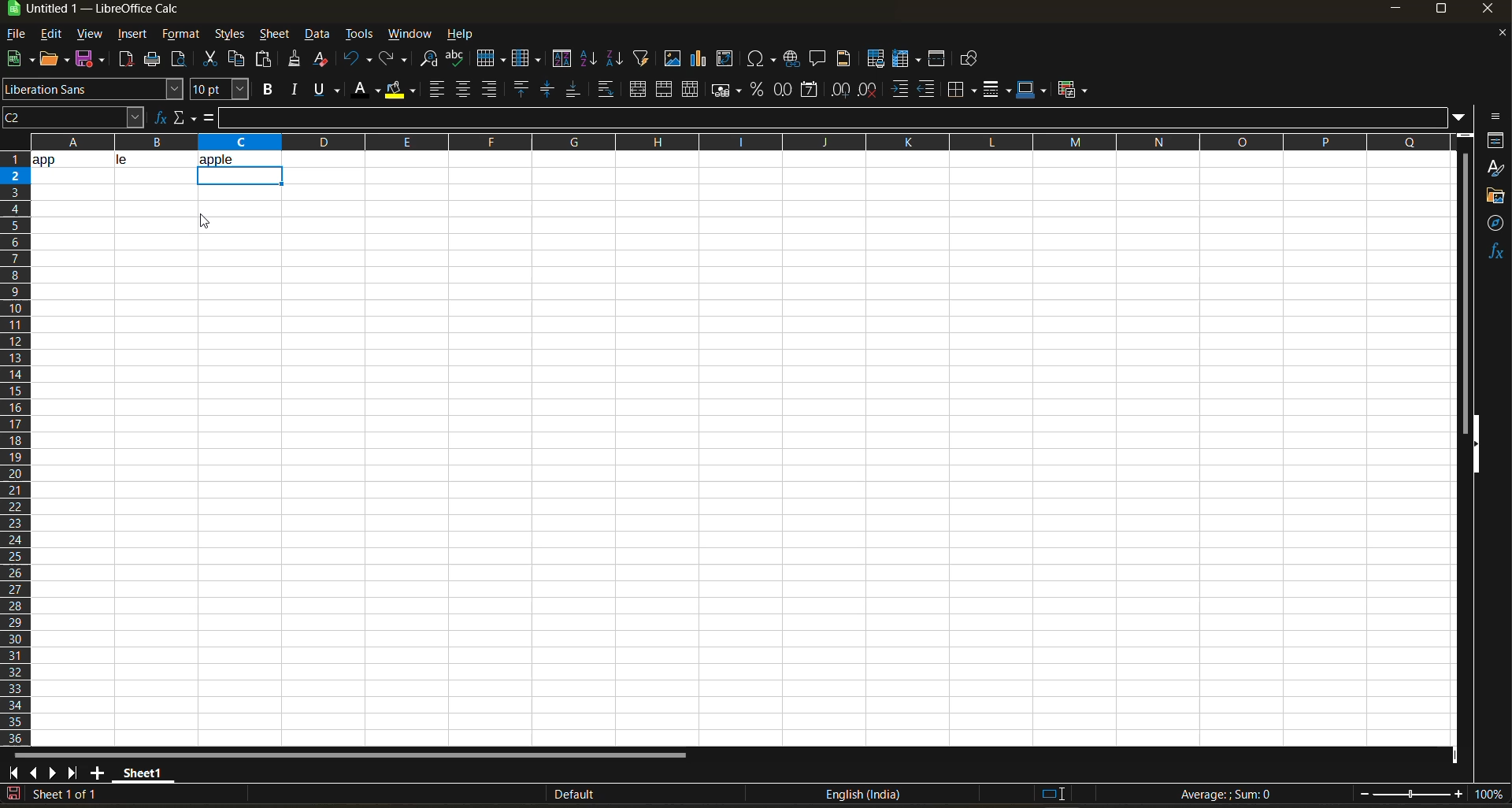 The width and height of the screenshot is (1512, 808). I want to click on background color, so click(399, 91).